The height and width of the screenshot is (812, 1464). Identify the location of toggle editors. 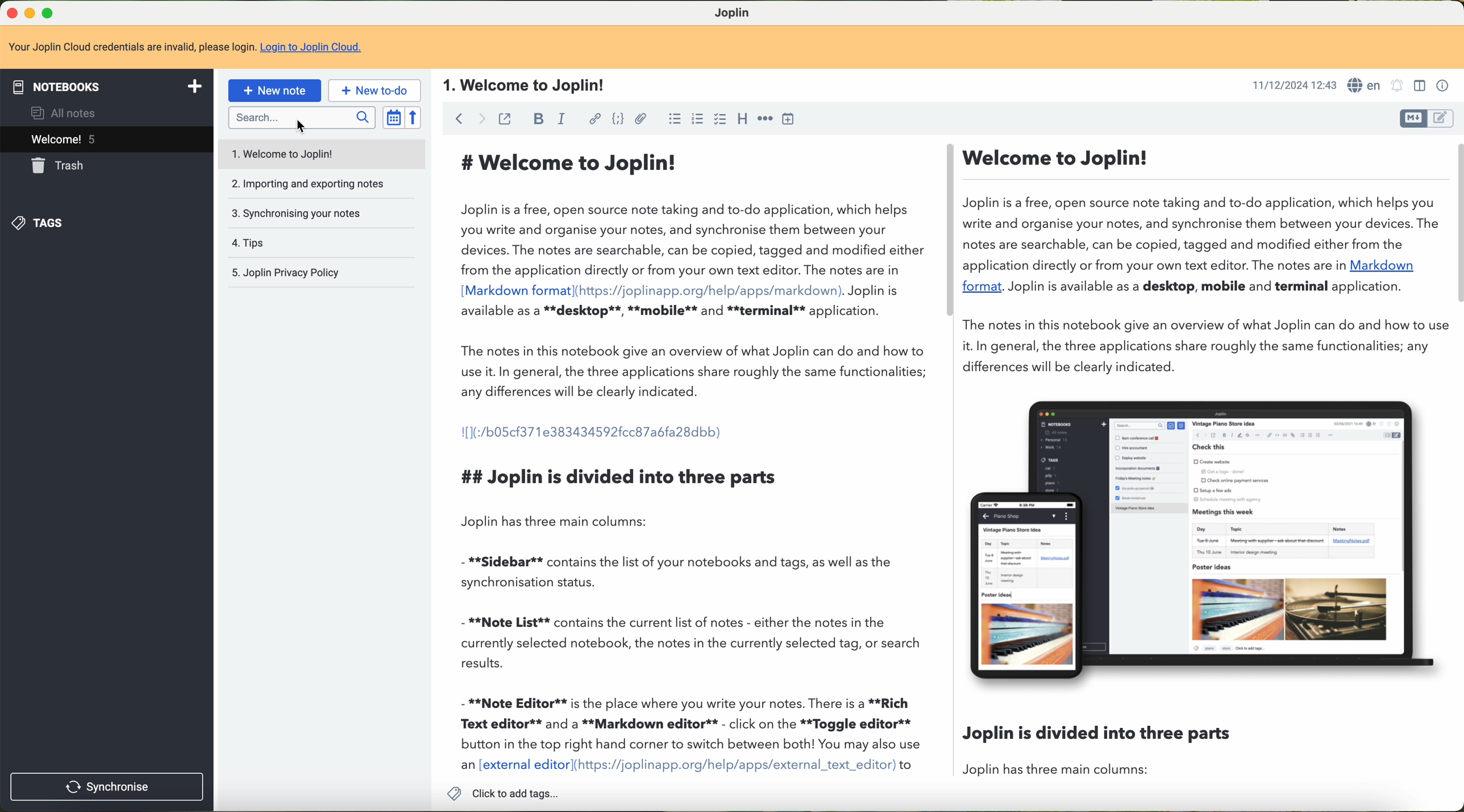
(1446, 119).